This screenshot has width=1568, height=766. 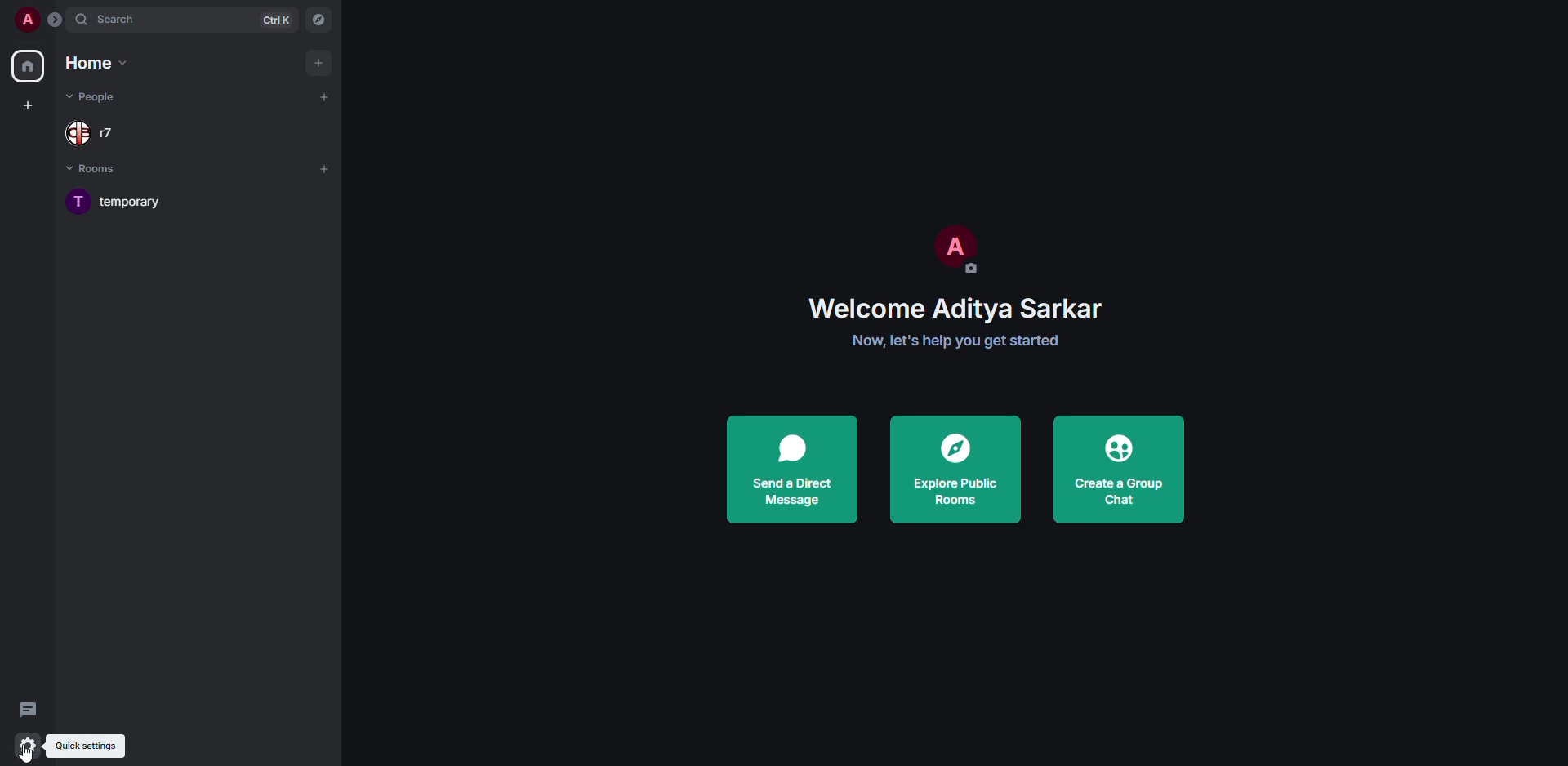 I want to click on threads, so click(x=26, y=709).